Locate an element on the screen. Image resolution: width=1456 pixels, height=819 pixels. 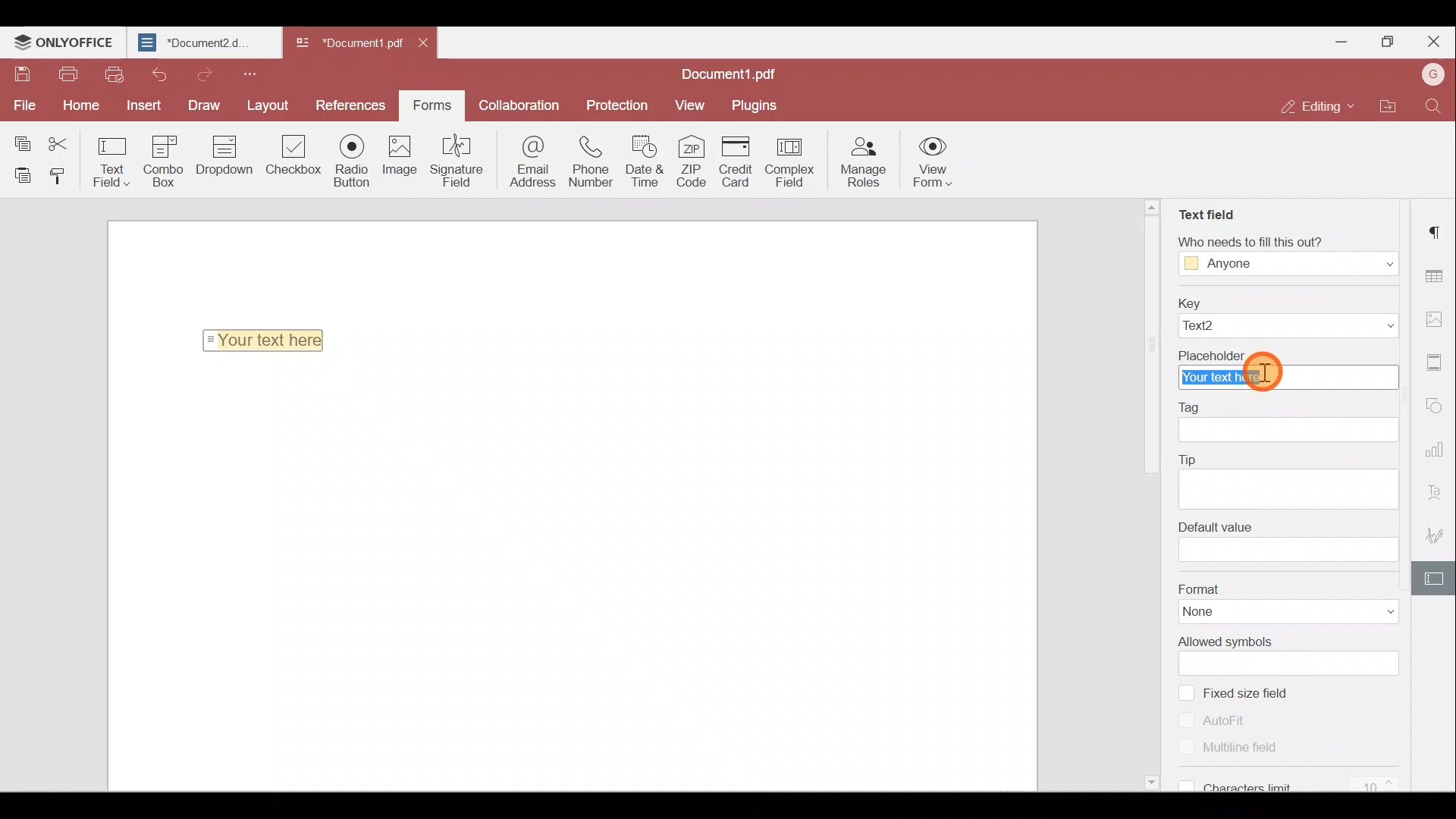
Quick print is located at coordinates (115, 76).